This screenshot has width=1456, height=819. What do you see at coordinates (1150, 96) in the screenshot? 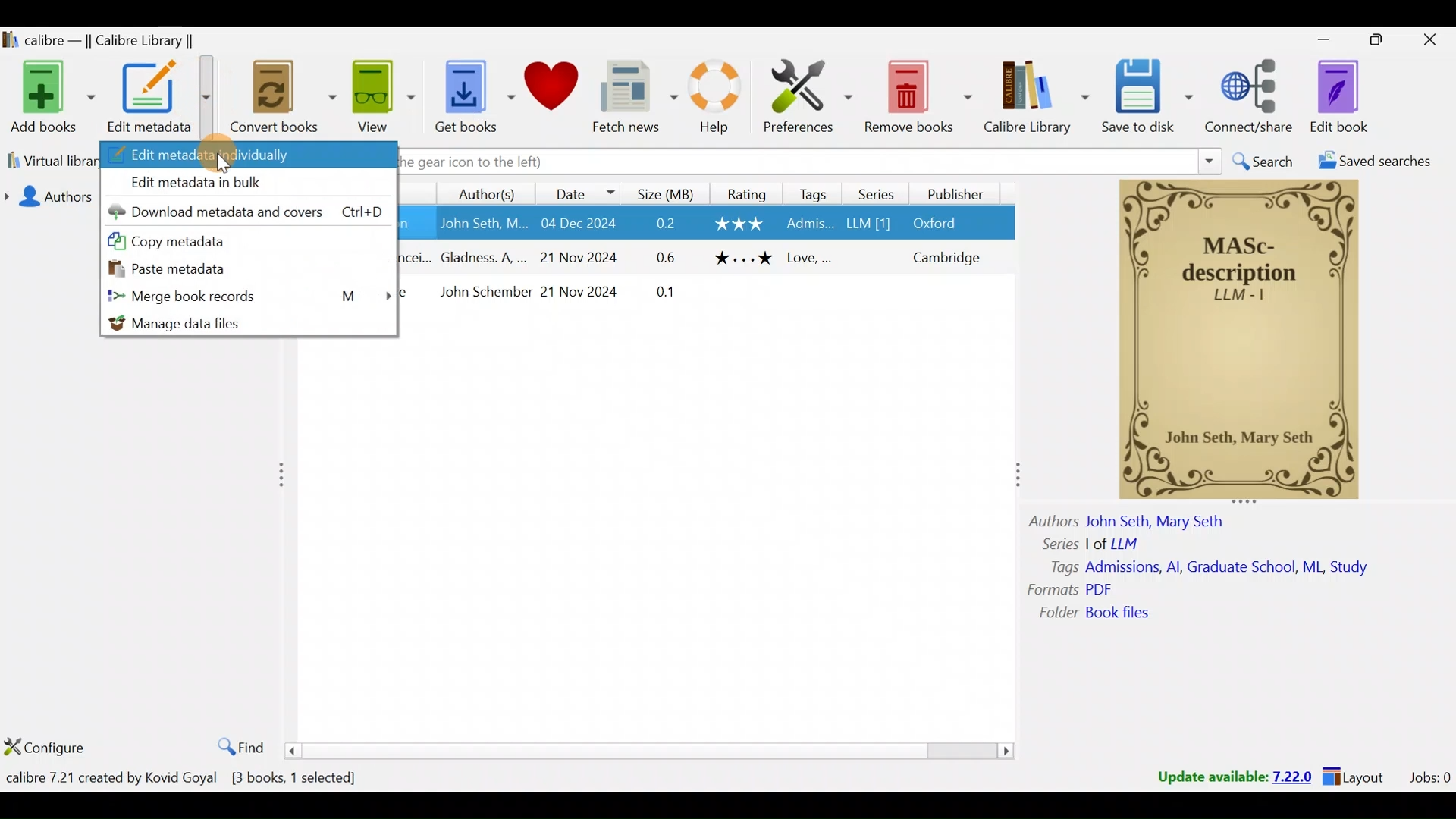
I see `Save to disk` at bounding box center [1150, 96].